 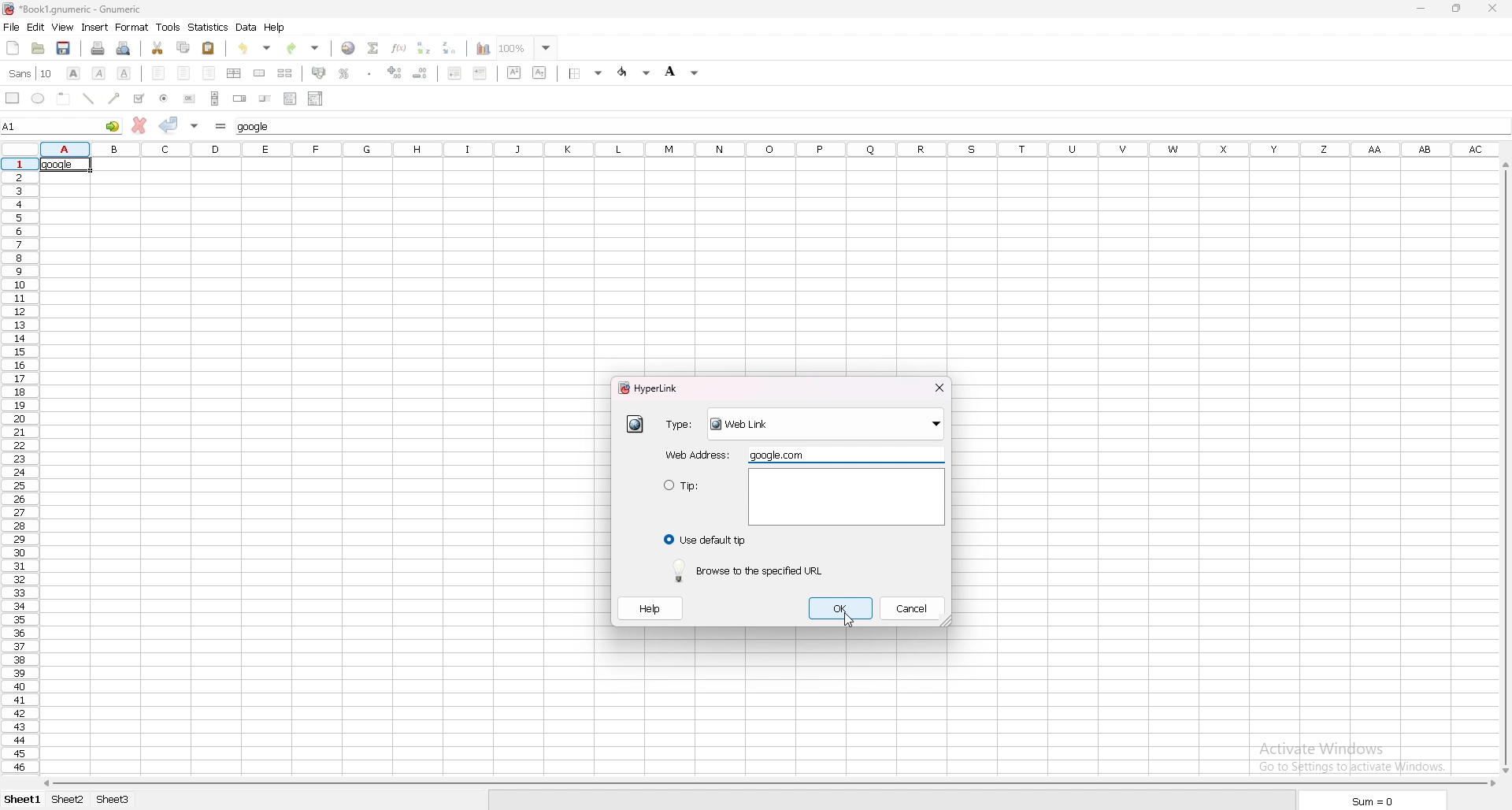 What do you see at coordinates (1421, 9) in the screenshot?
I see `minimize` at bounding box center [1421, 9].